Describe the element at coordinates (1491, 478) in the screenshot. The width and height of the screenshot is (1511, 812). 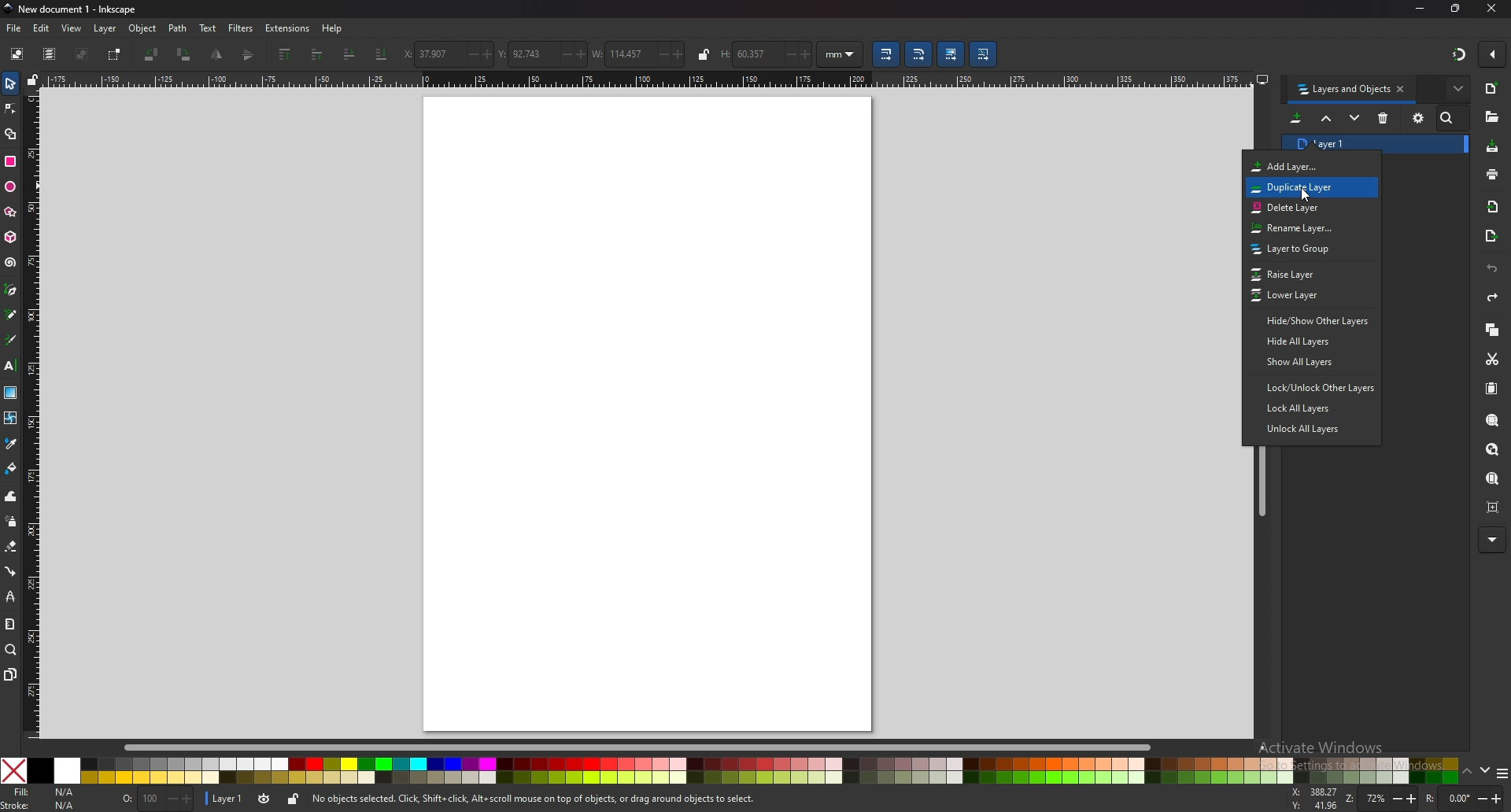
I see `zoom page` at that location.